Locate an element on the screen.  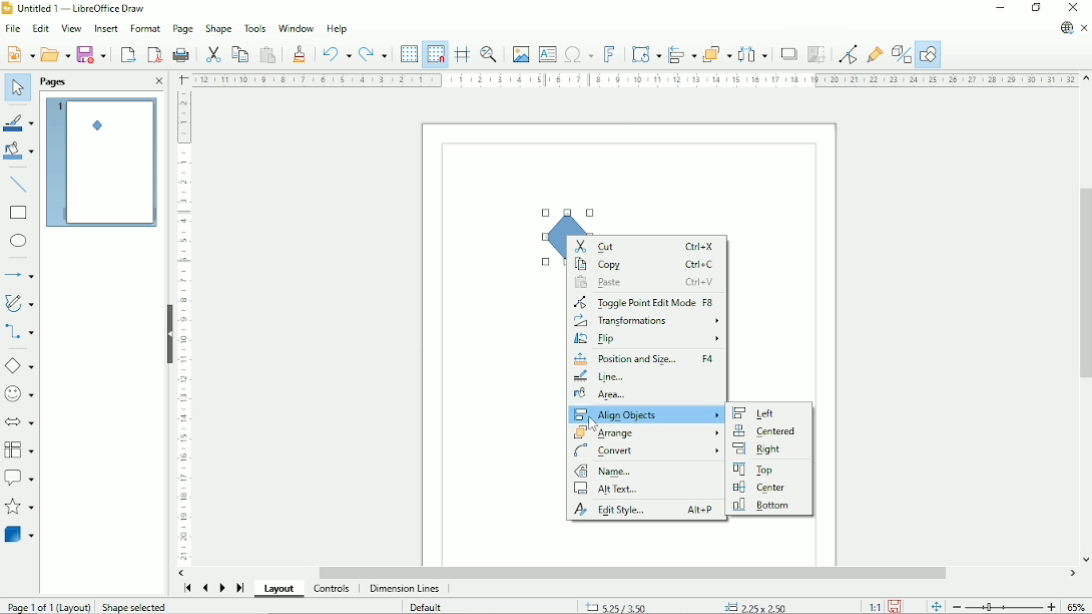
Preview is located at coordinates (103, 163).